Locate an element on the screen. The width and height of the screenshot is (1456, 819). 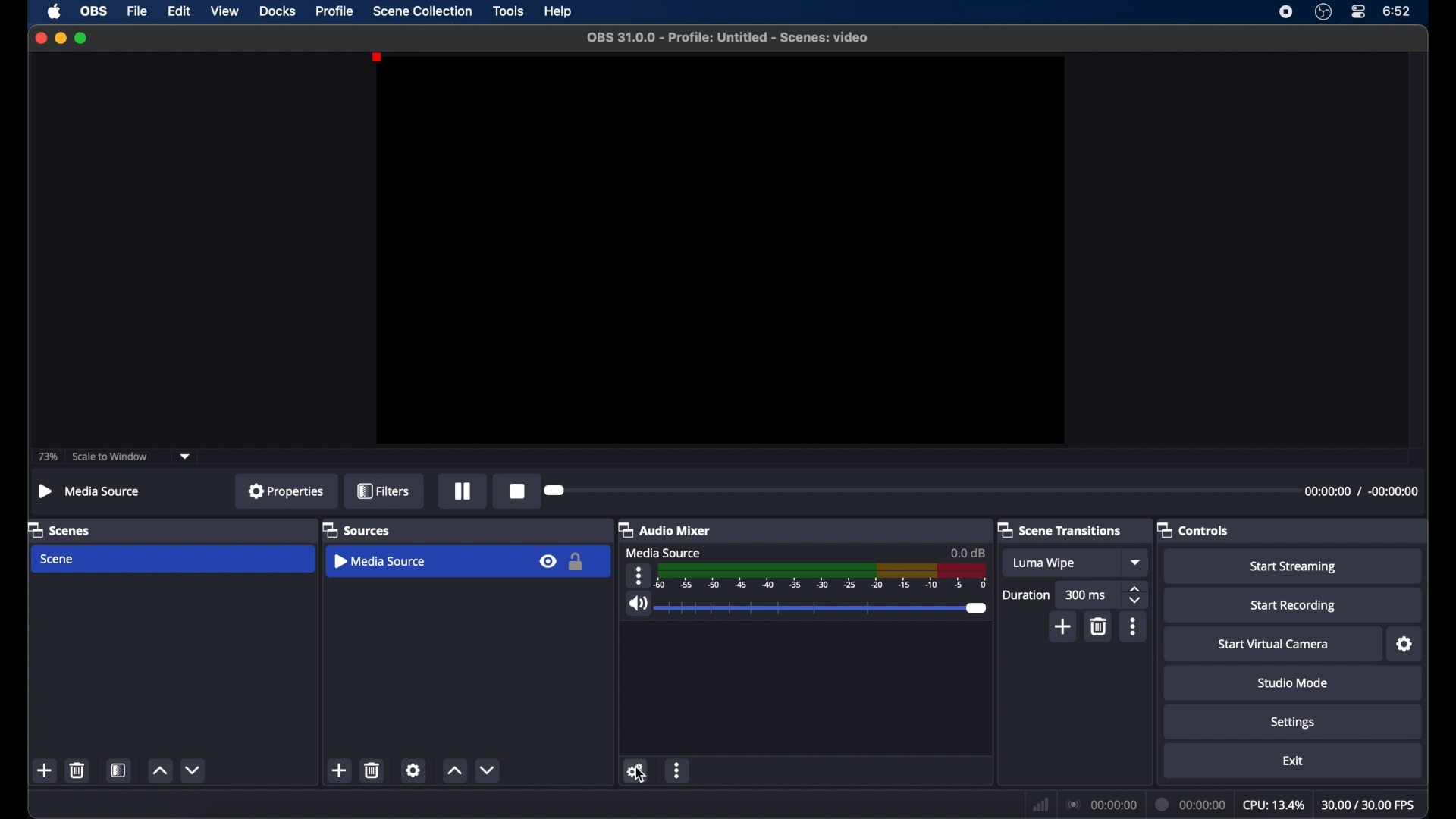
studio mode is located at coordinates (1293, 682).